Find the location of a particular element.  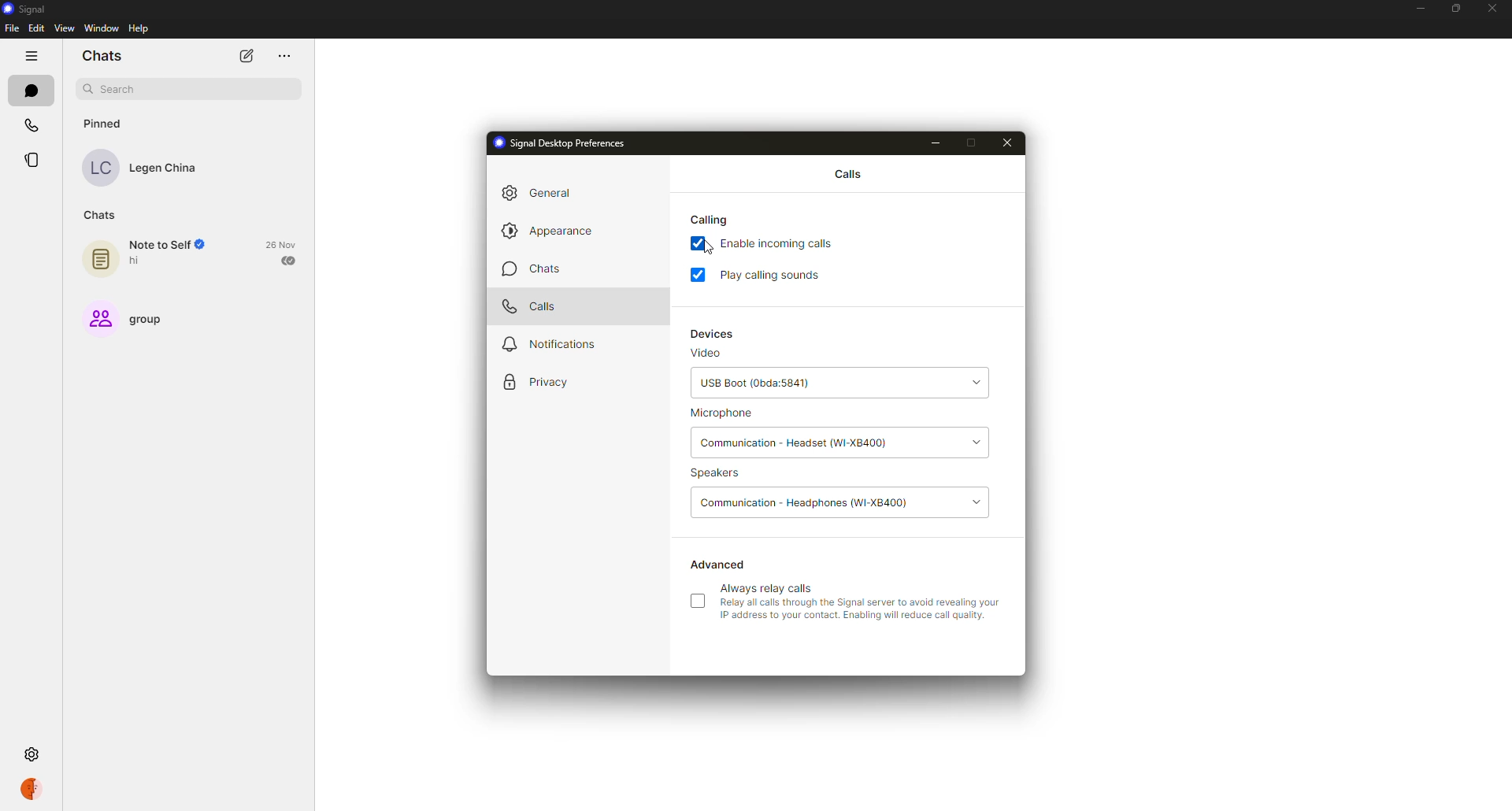

help is located at coordinates (140, 28).